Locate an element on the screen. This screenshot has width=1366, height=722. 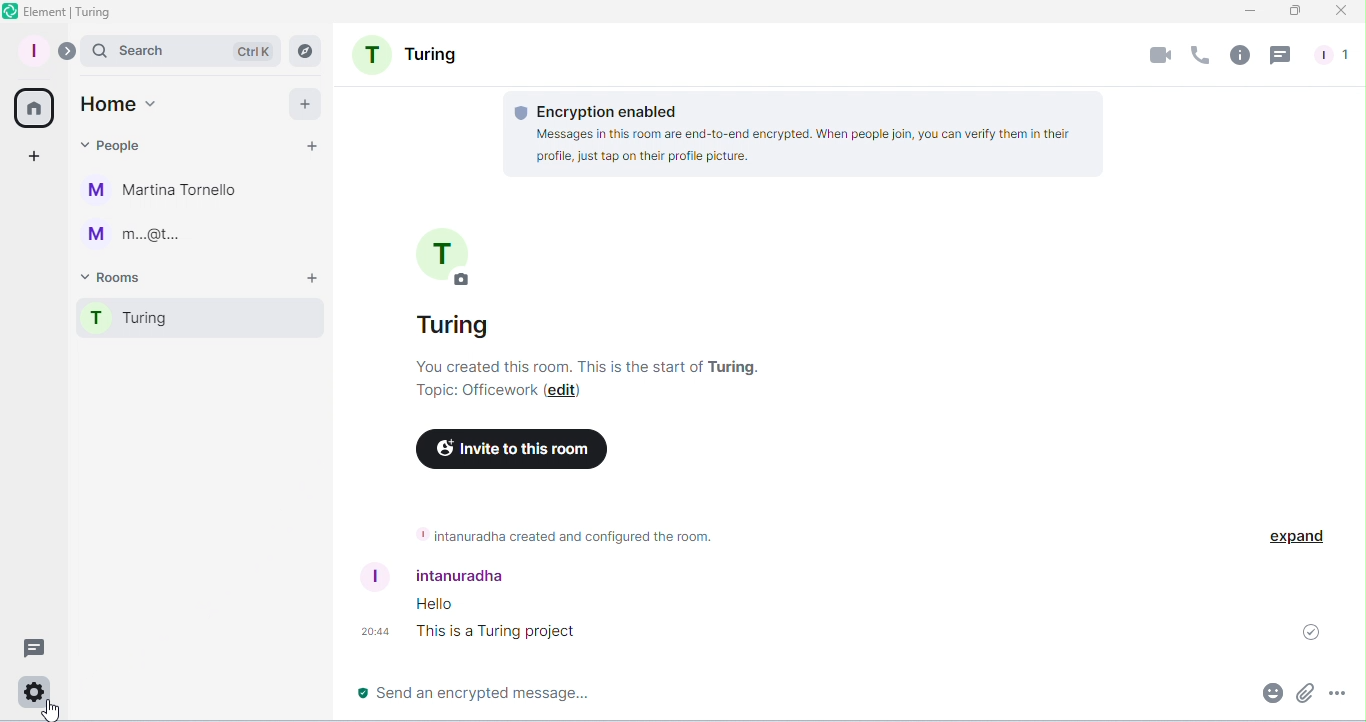
Expand is located at coordinates (65, 52).